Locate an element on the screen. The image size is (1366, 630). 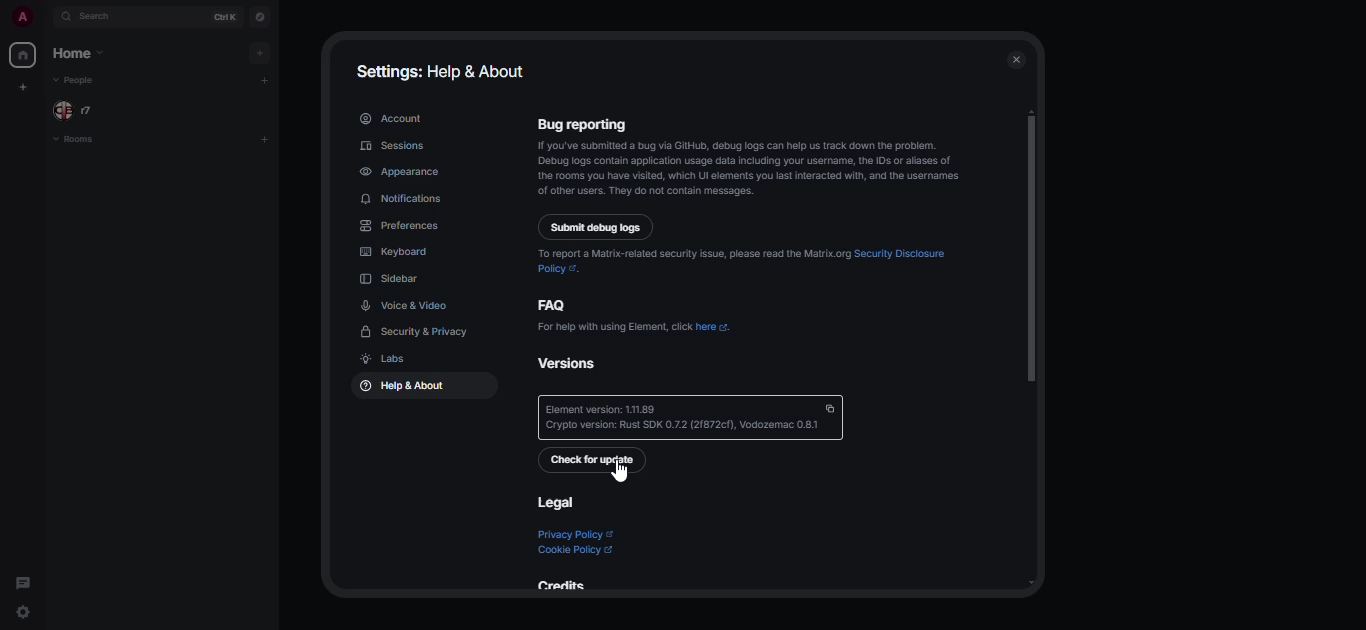
settings: help & about is located at coordinates (444, 69).